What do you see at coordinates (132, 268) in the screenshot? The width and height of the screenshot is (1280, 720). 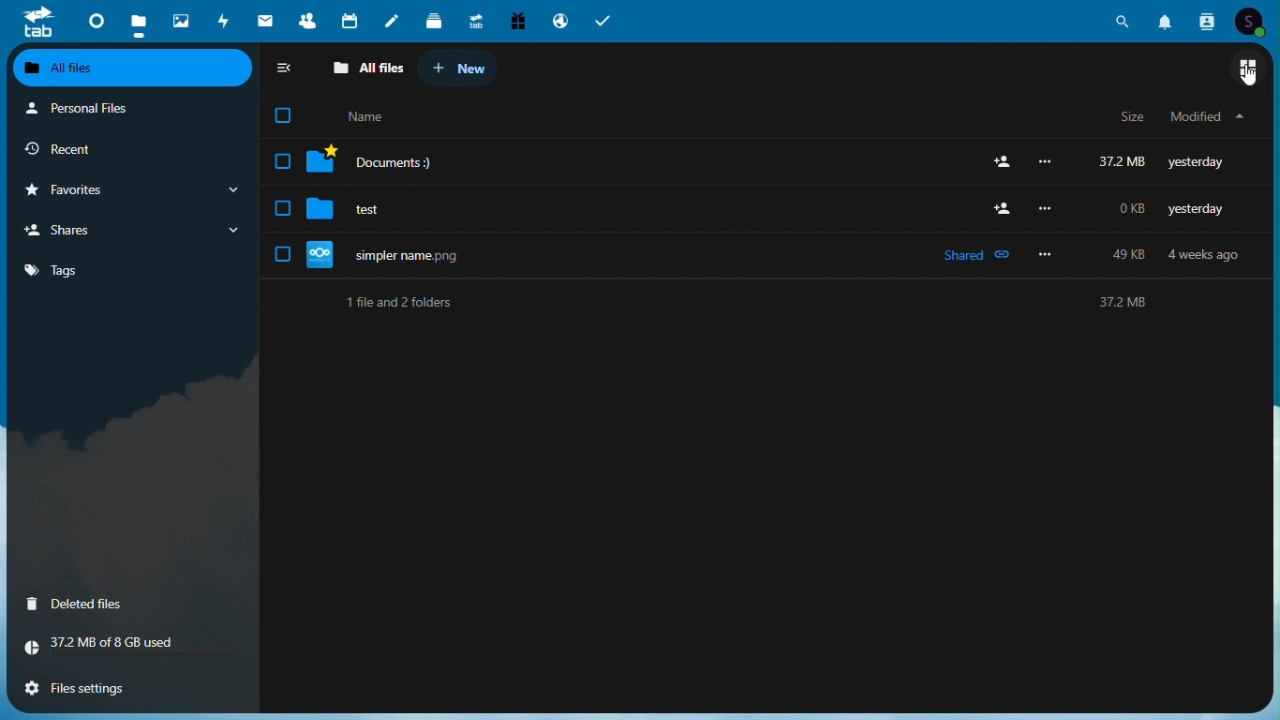 I see `Tag` at bounding box center [132, 268].